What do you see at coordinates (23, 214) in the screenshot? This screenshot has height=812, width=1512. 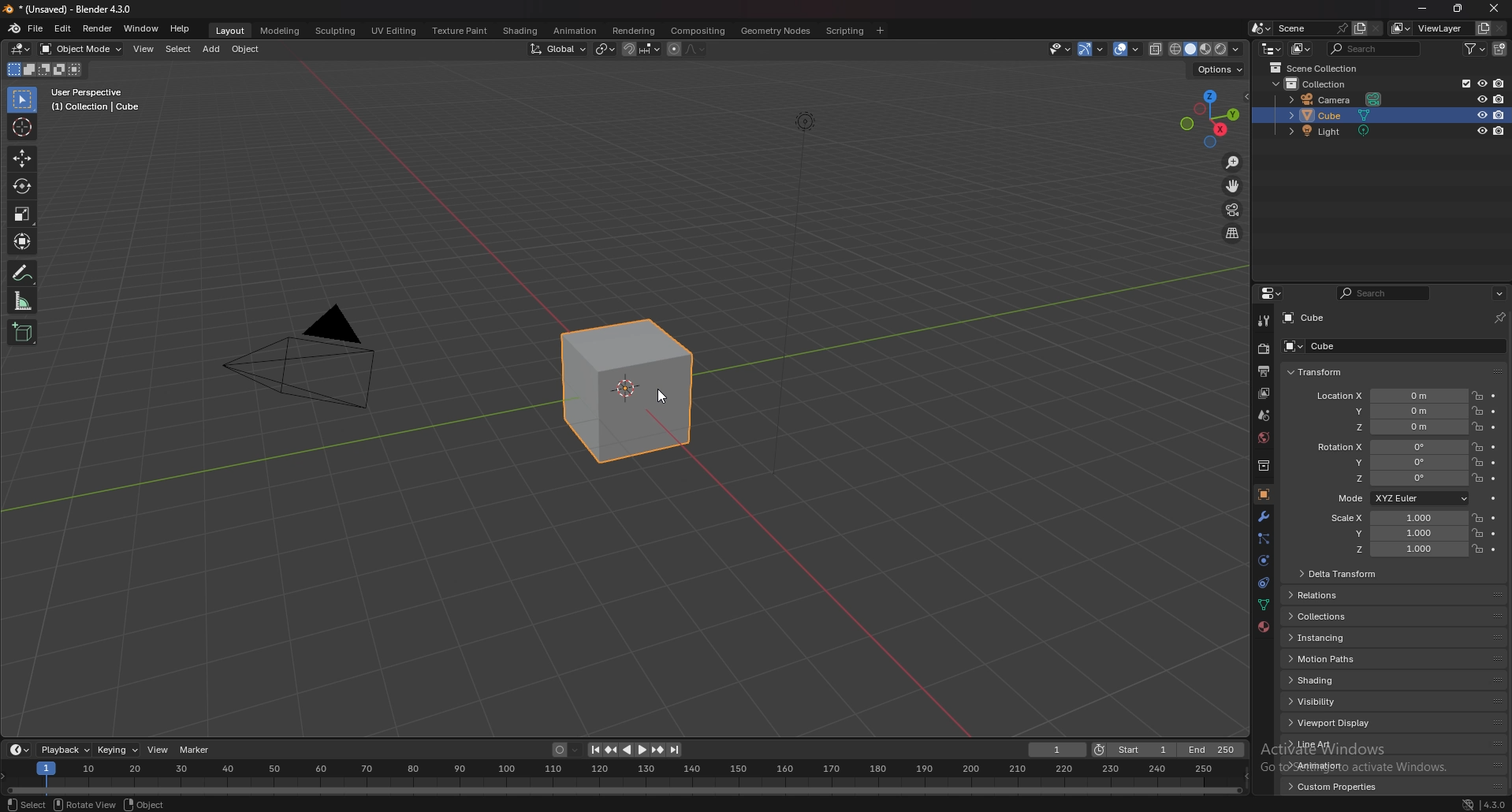 I see `scale` at bounding box center [23, 214].